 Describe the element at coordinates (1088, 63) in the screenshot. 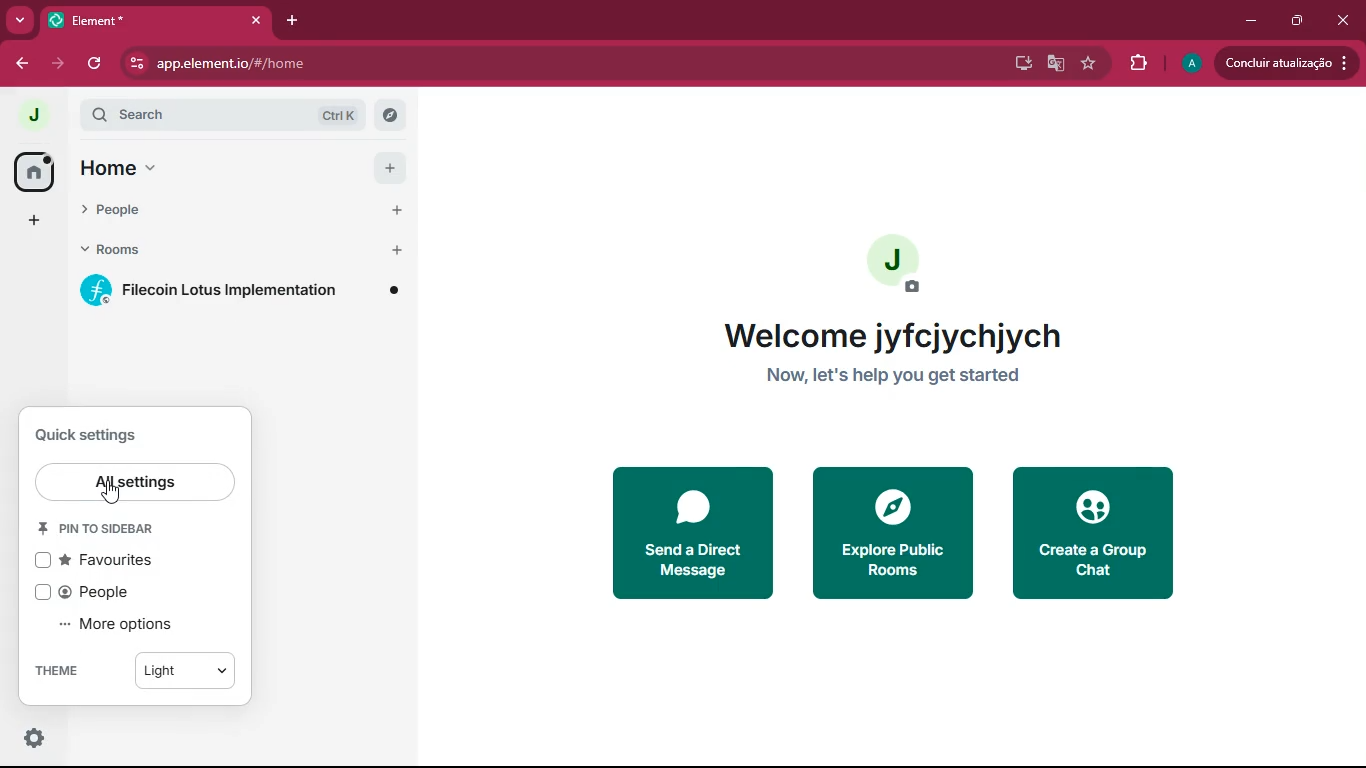

I see `favourite` at that location.